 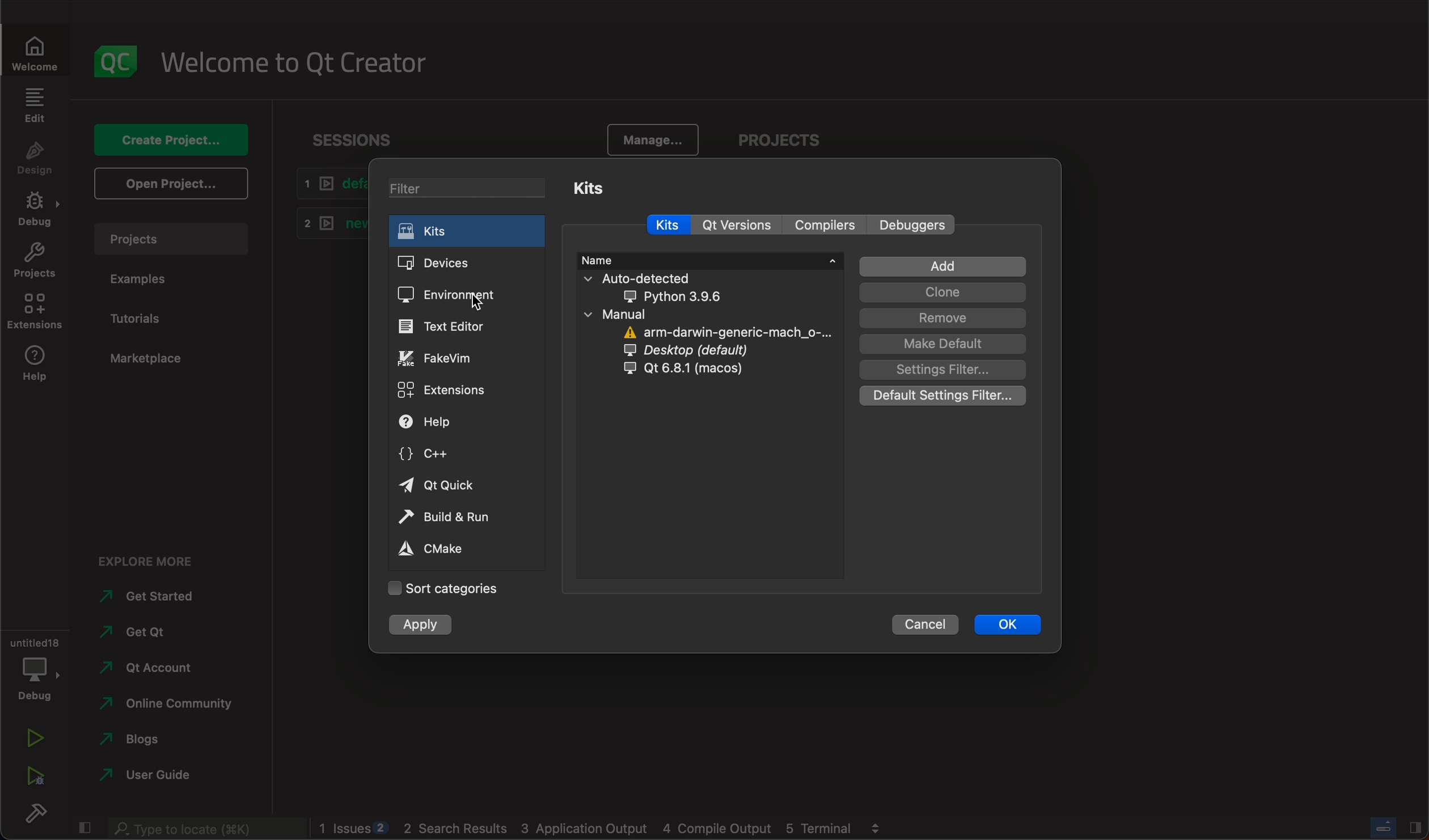 What do you see at coordinates (942, 371) in the screenshot?
I see `sttings` at bounding box center [942, 371].